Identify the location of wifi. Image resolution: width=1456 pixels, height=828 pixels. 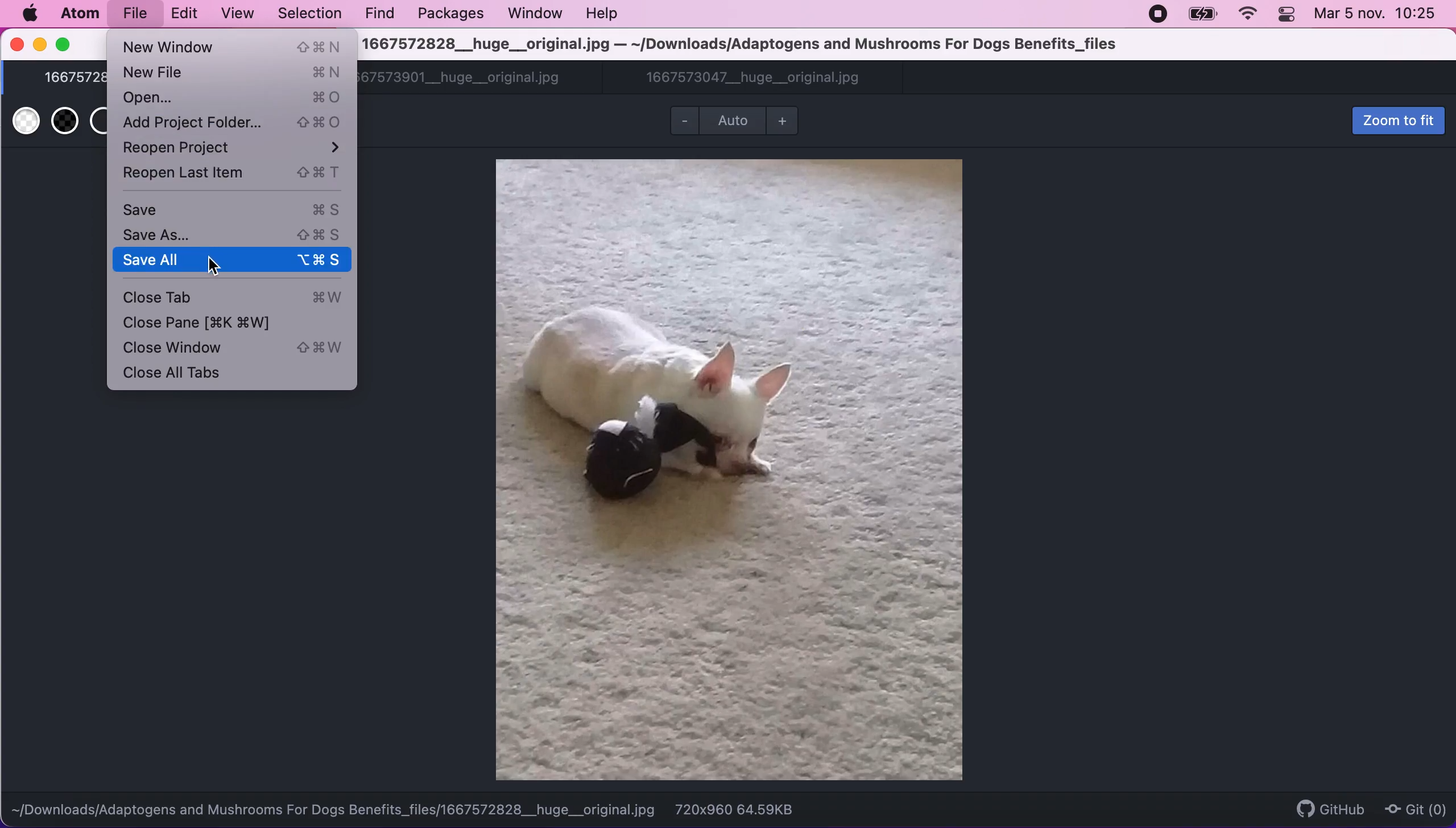
(1248, 15).